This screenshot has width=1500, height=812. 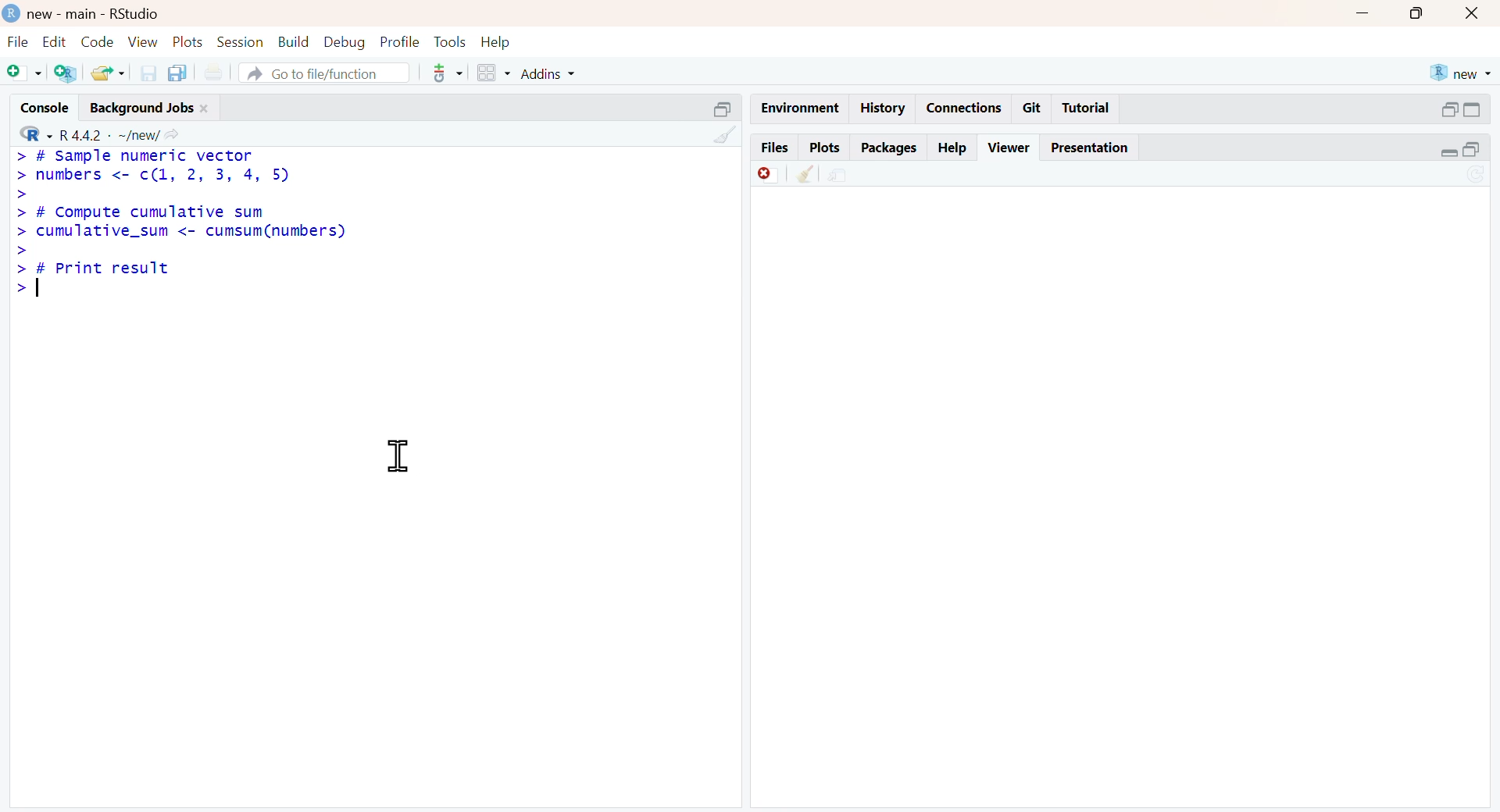 What do you see at coordinates (108, 73) in the screenshot?
I see `share folder as` at bounding box center [108, 73].